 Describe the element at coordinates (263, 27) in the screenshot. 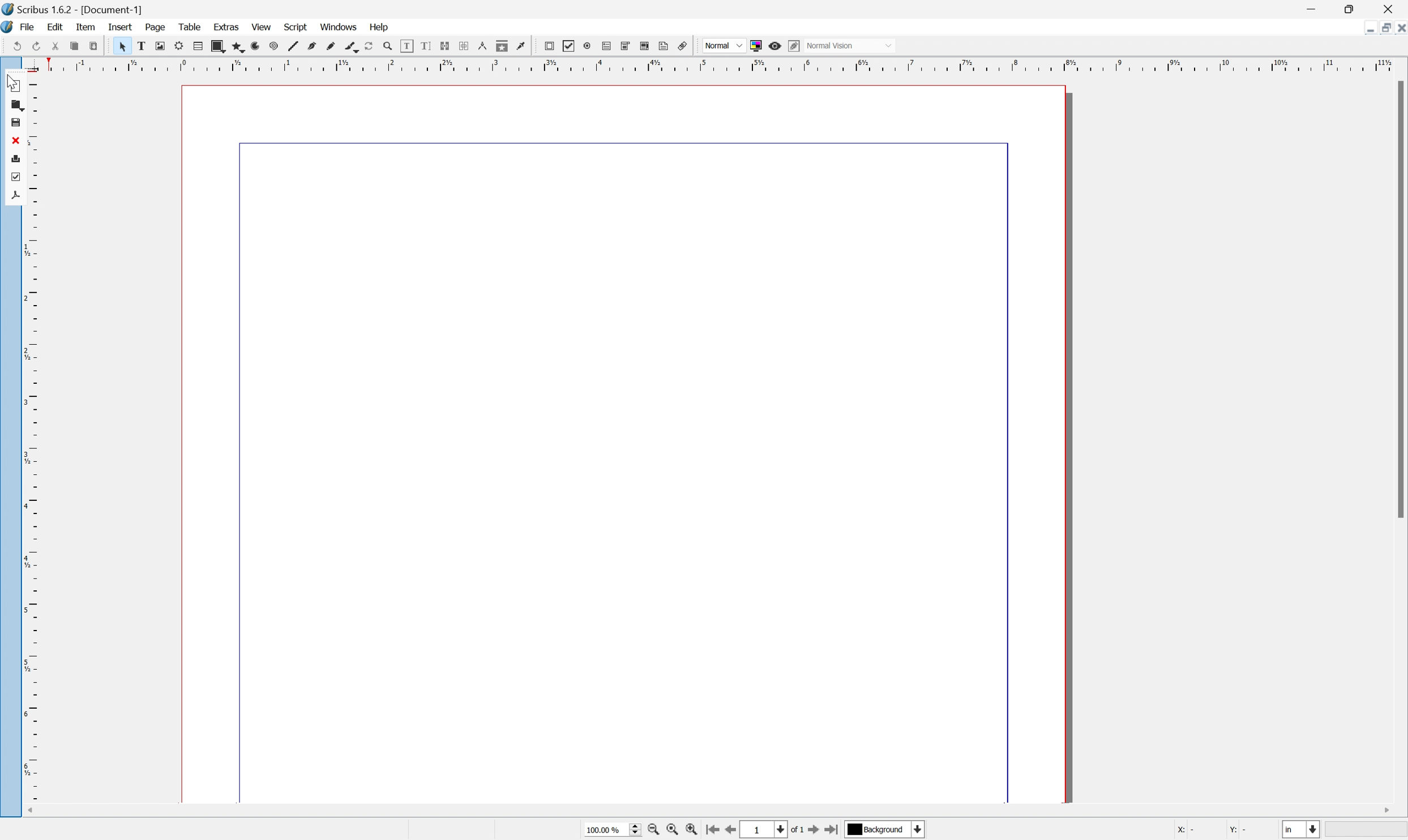

I see `view` at that location.